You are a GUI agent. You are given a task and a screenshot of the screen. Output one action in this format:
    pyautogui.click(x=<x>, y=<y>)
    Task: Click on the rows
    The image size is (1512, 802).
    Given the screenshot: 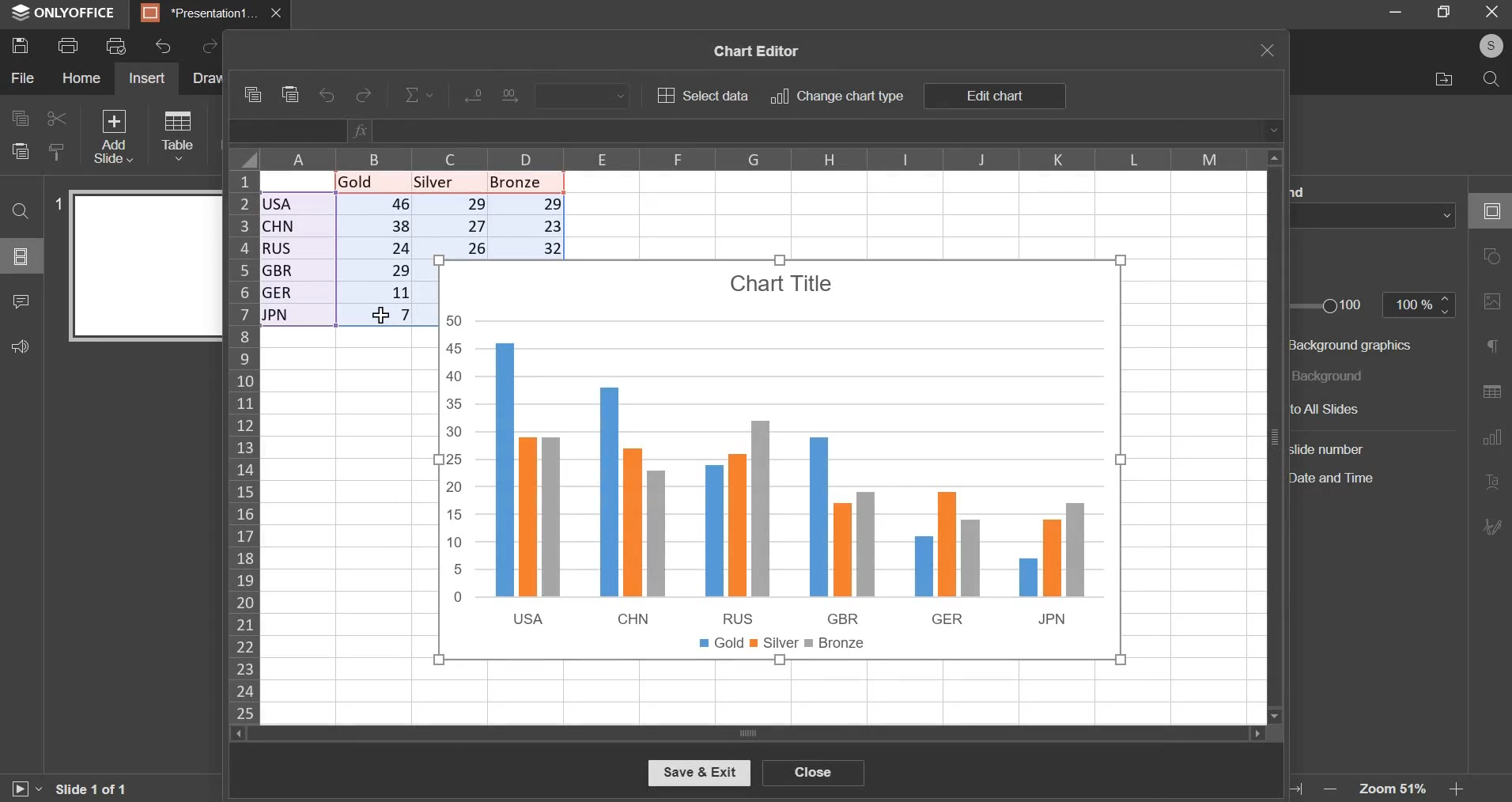 What is the action you would take?
    pyautogui.click(x=243, y=445)
    